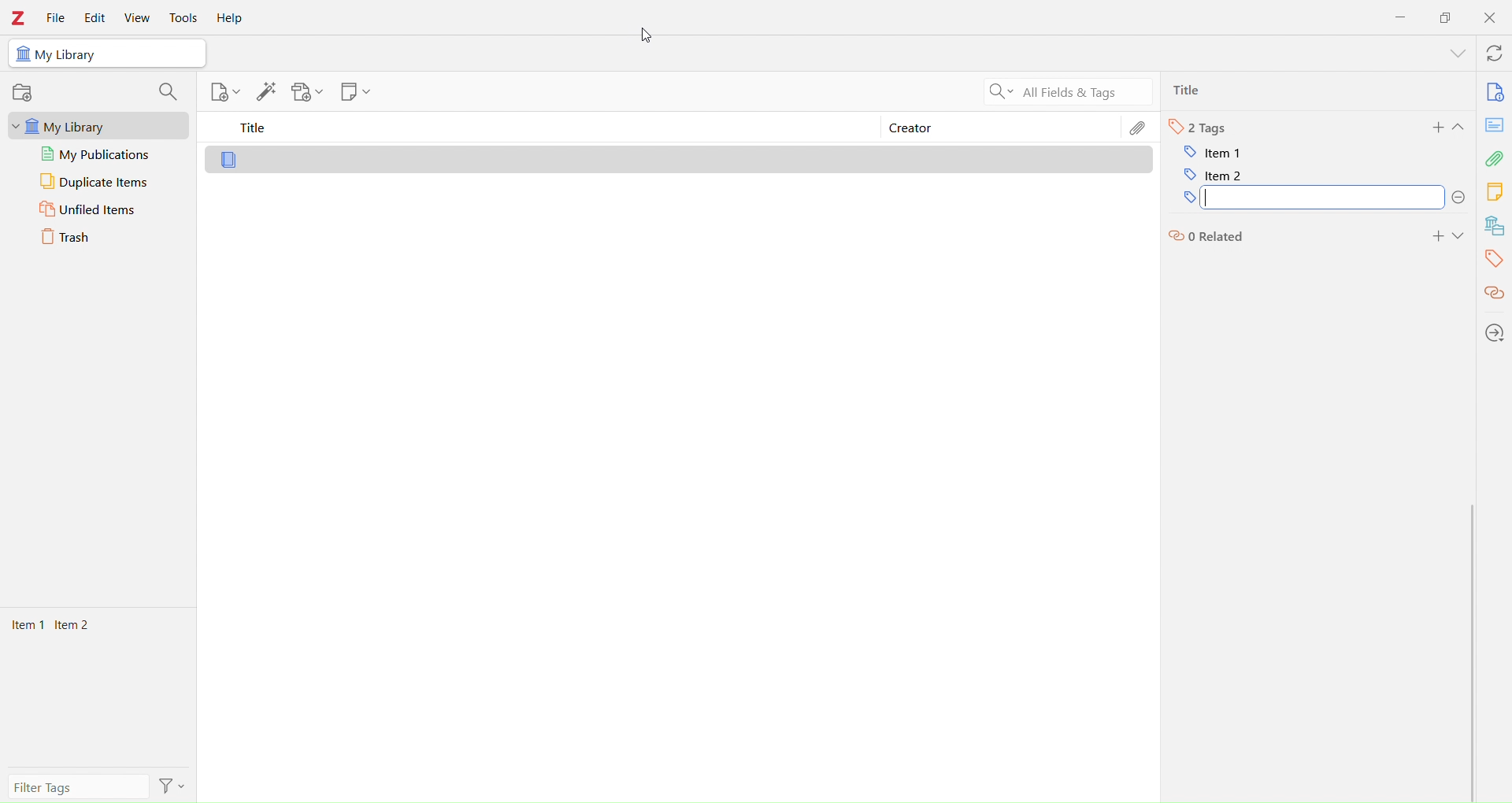 The height and width of the screenshot is (803, 1512). I want to click on Close, so click(1491, 17).